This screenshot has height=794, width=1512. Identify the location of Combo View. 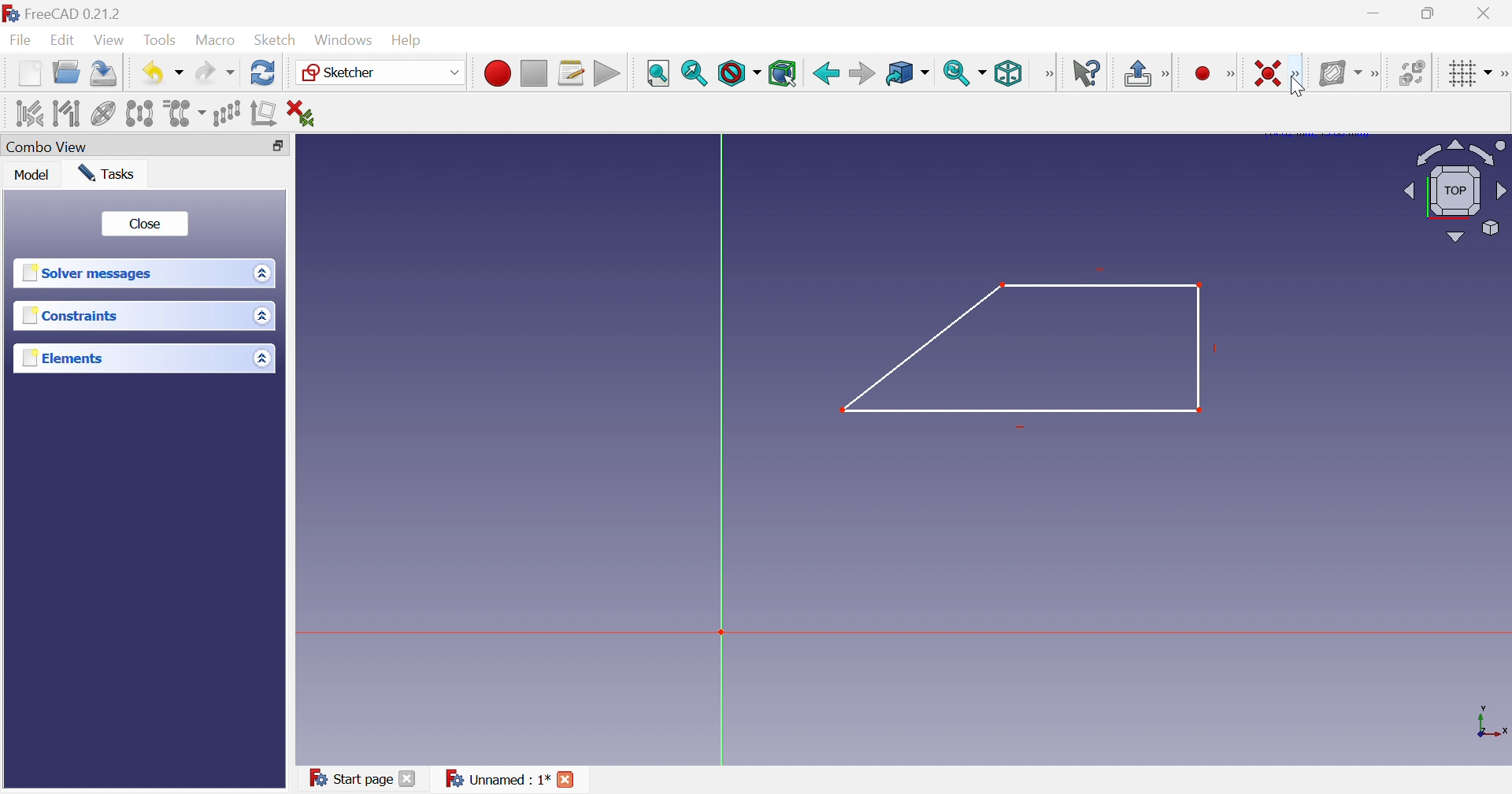
(50, 147).